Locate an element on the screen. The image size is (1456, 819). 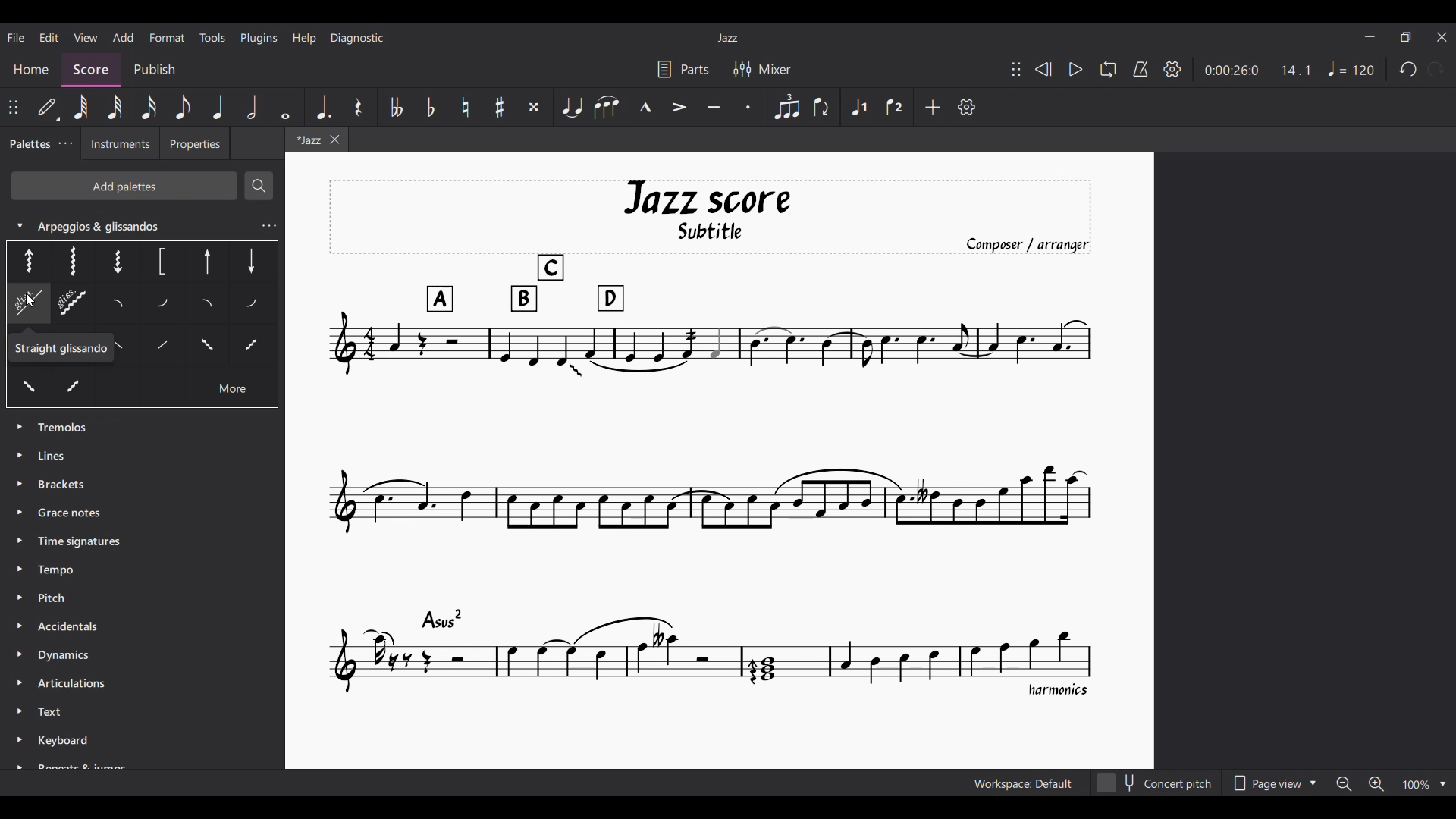
Toggle double flat is located at coordinates (397, 107).